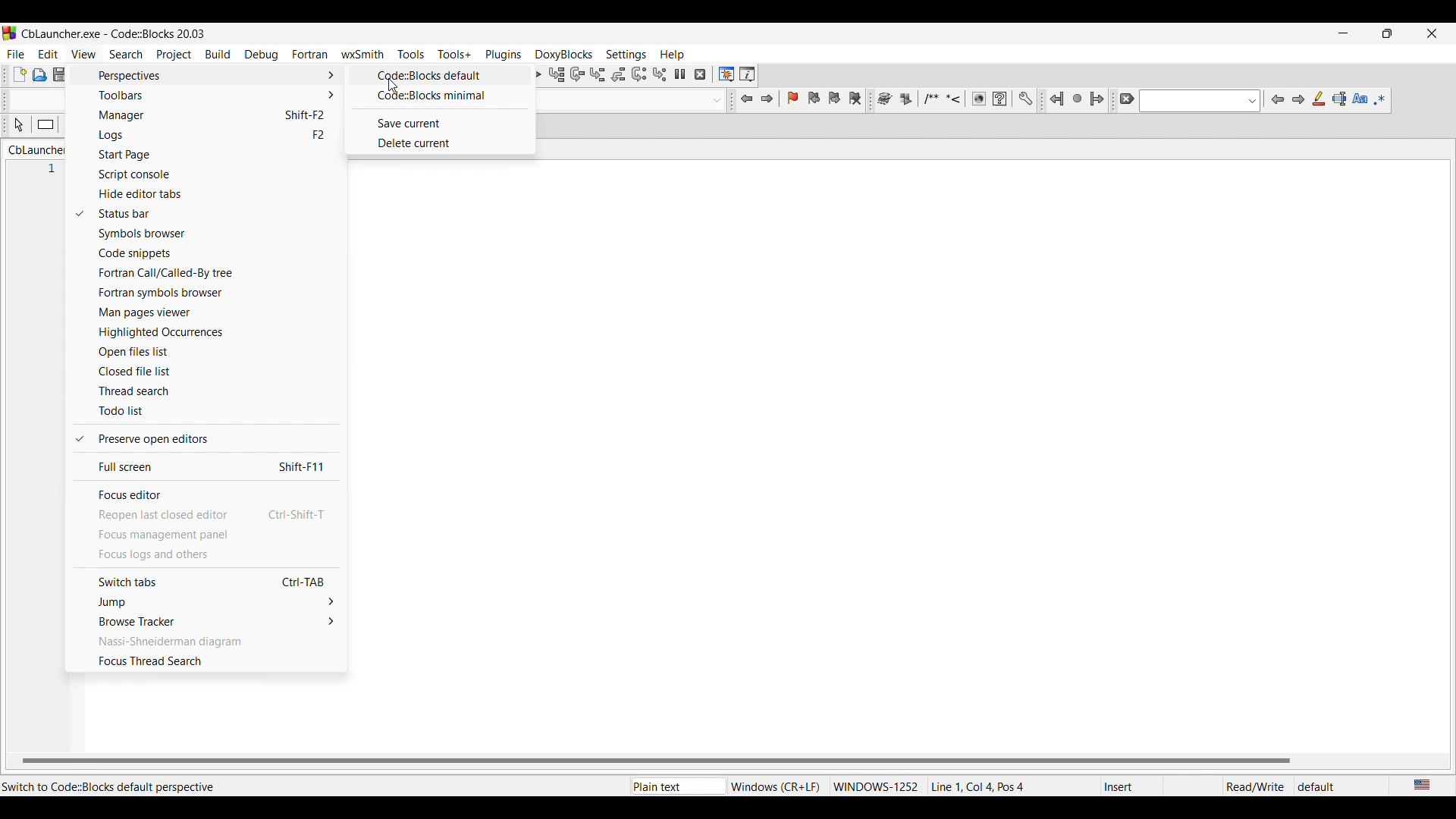  Describe the element at coordinates (700, 74) in the screenshot. I see `Stop debugger` at that location.